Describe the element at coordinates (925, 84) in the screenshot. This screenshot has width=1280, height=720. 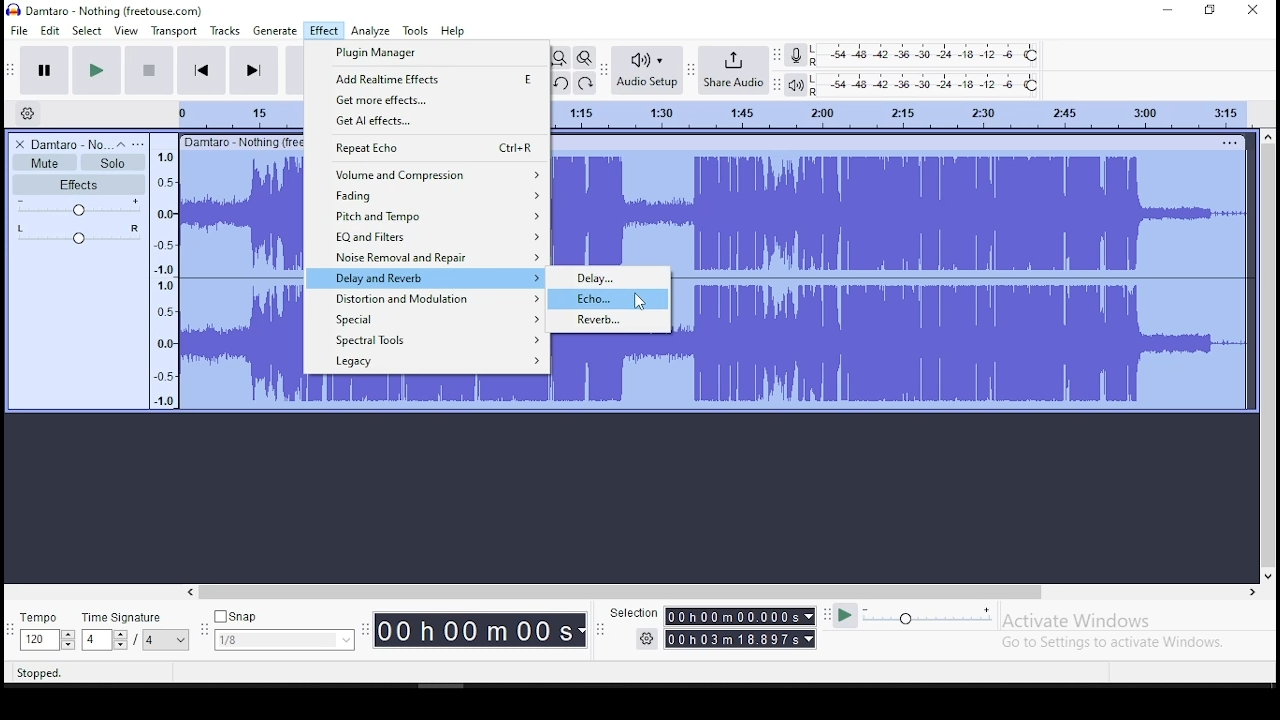
I see `playback level` at that location.